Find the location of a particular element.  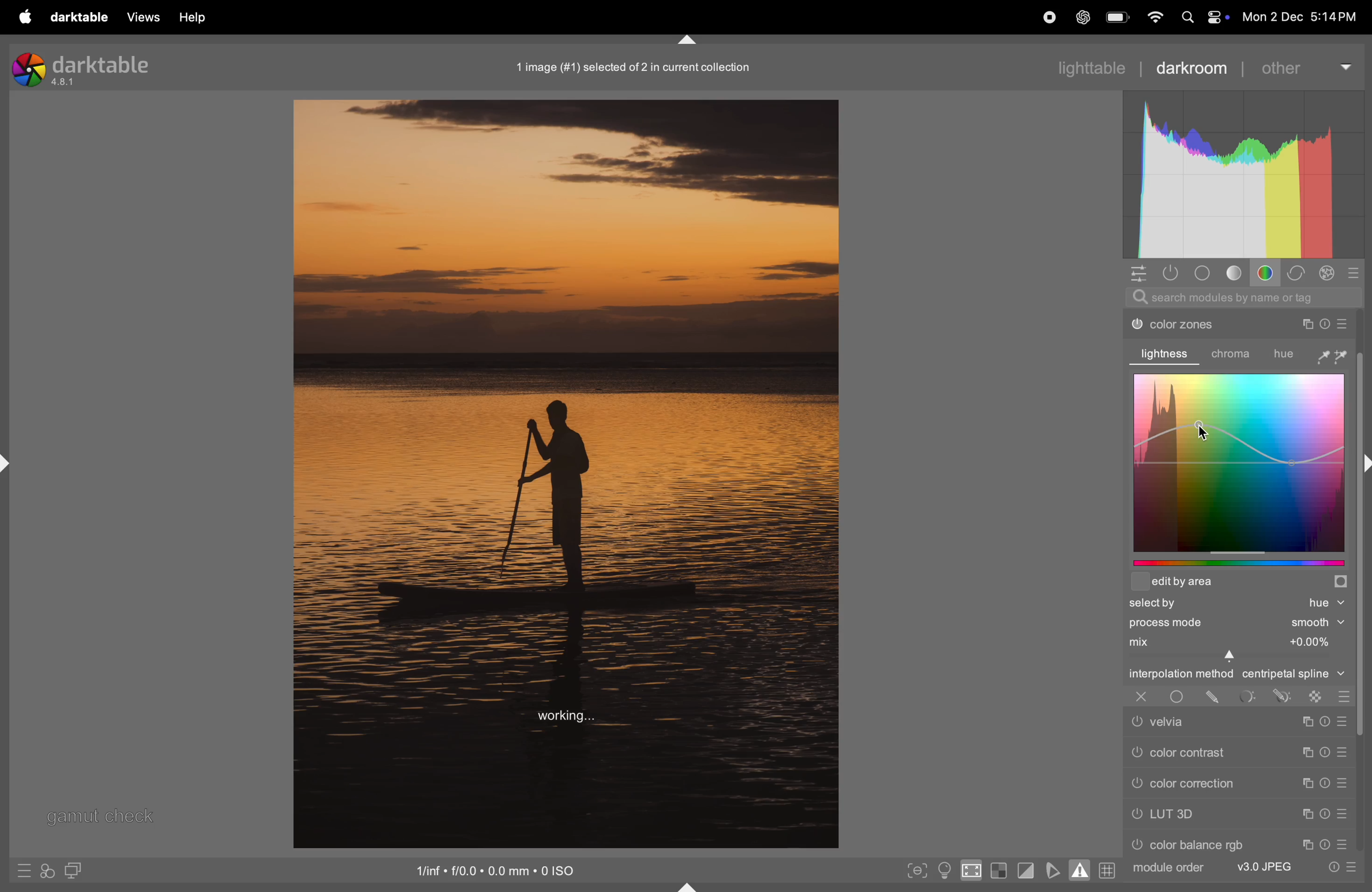

darktable is located at coordinates (84, 20).